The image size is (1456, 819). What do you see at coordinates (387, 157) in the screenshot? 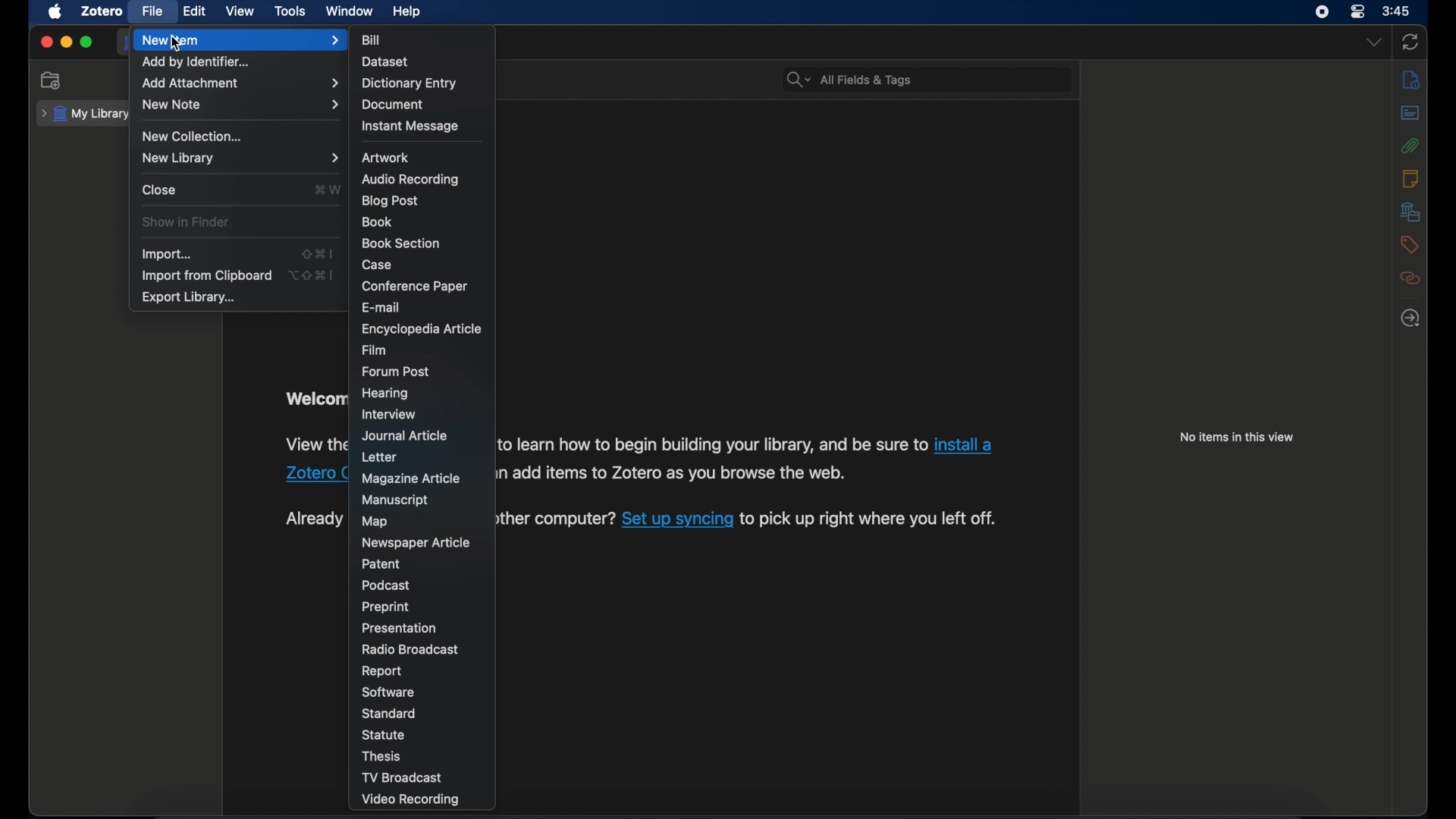
I see `artwork` at bounding box center [387, 157].